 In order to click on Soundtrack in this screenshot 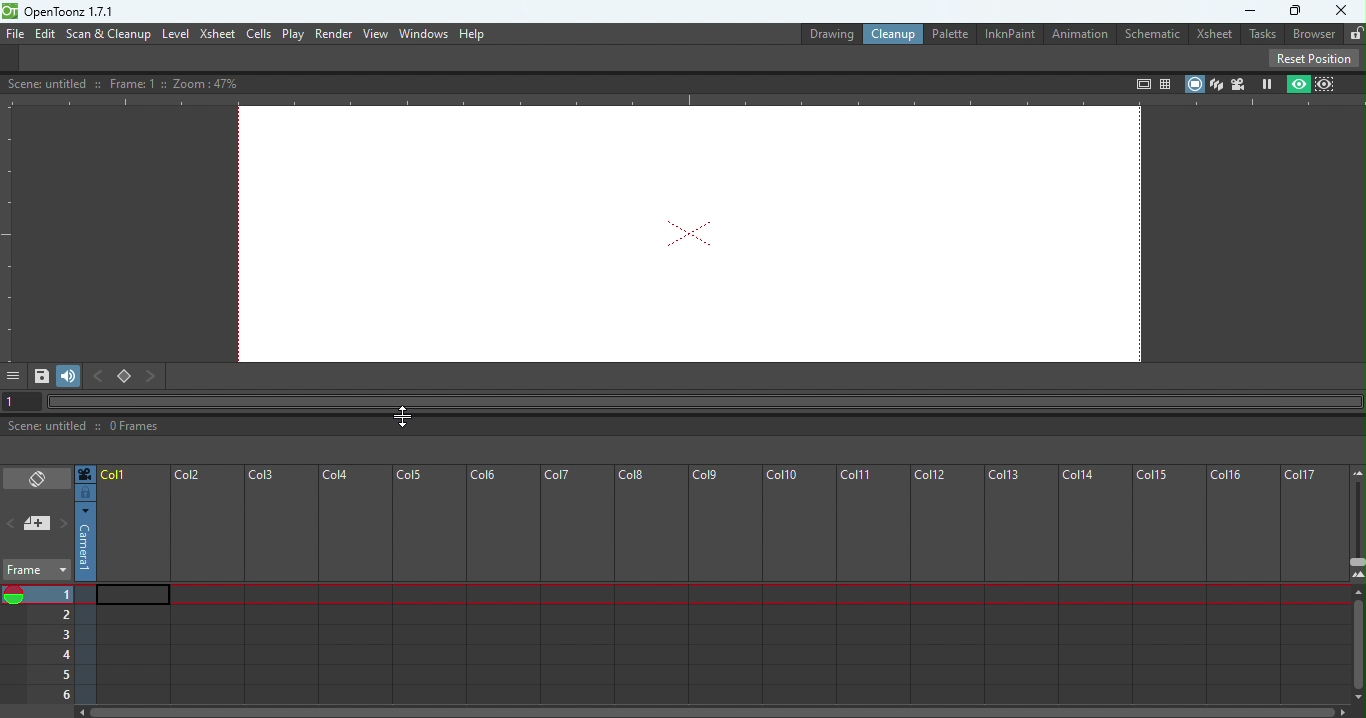, I will do `click(67, 374)`.